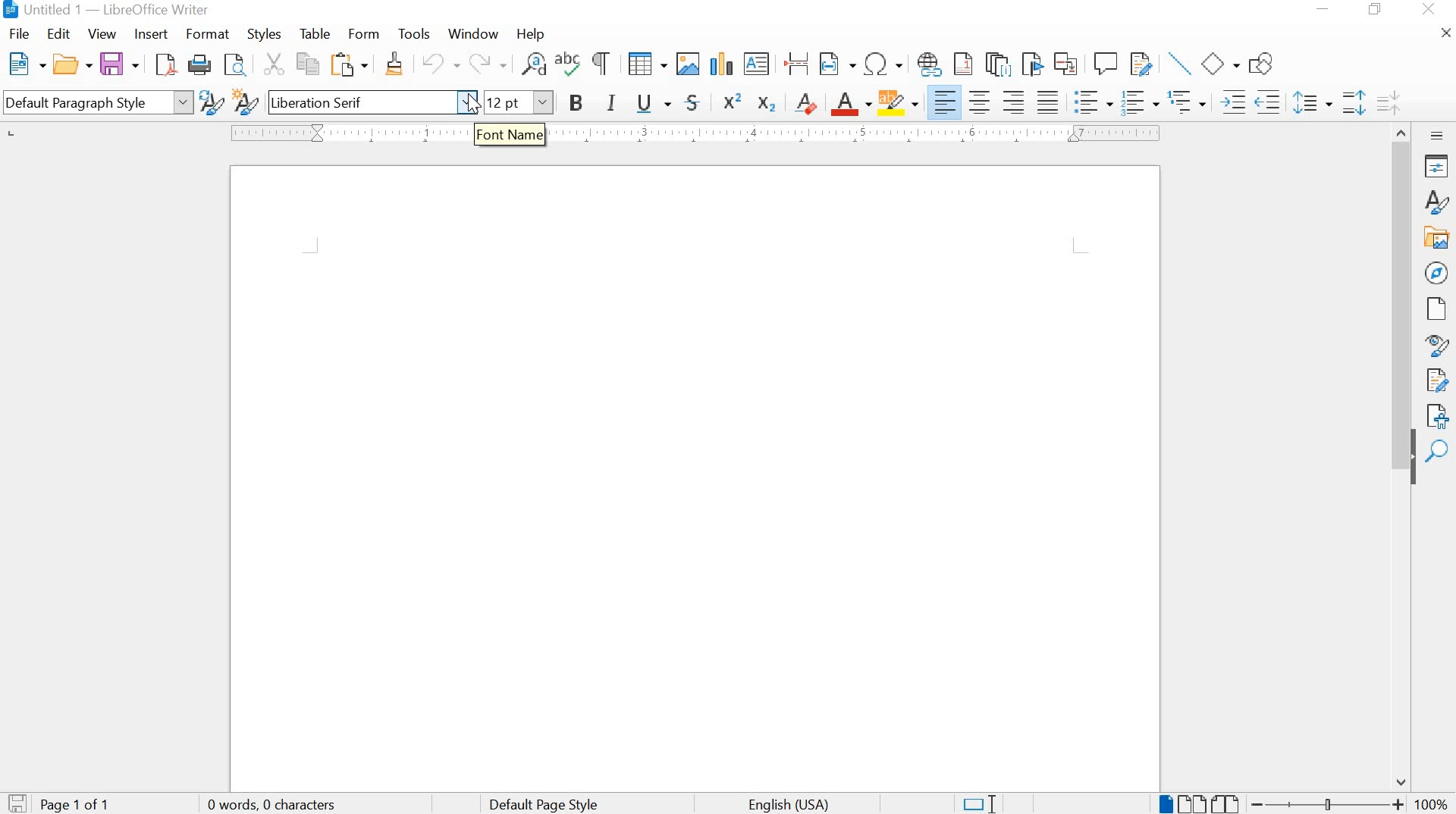 The image size is (1456, 814). Describe the element at coordinates (980, 803) in the screenshot. I see `STANDARD SELECTION` at that location.